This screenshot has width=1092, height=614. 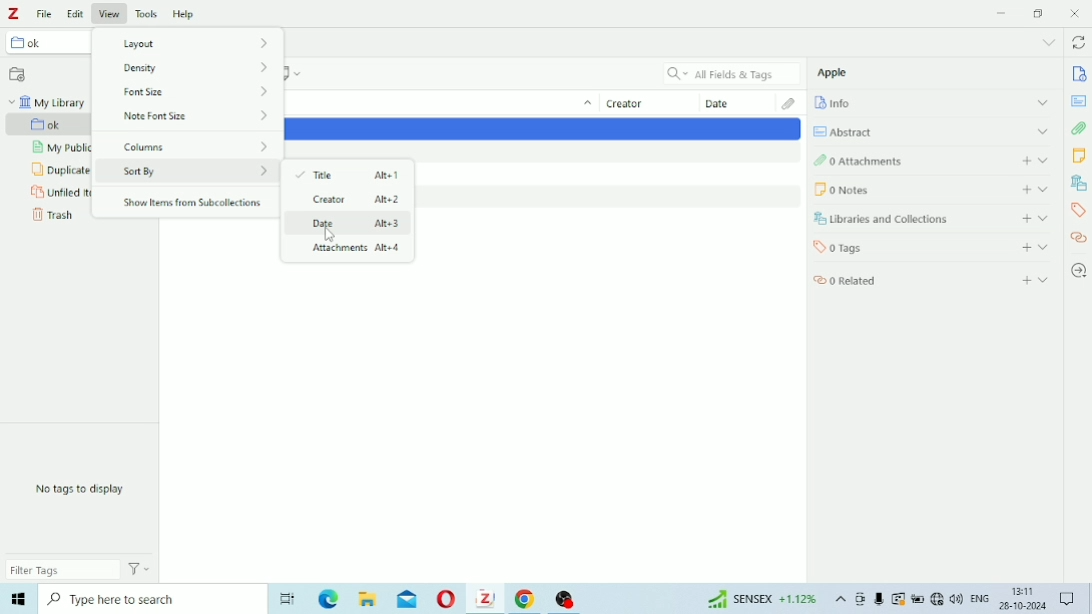 I want to click on Sync with zotero.org, so click(x=1081, y=41).